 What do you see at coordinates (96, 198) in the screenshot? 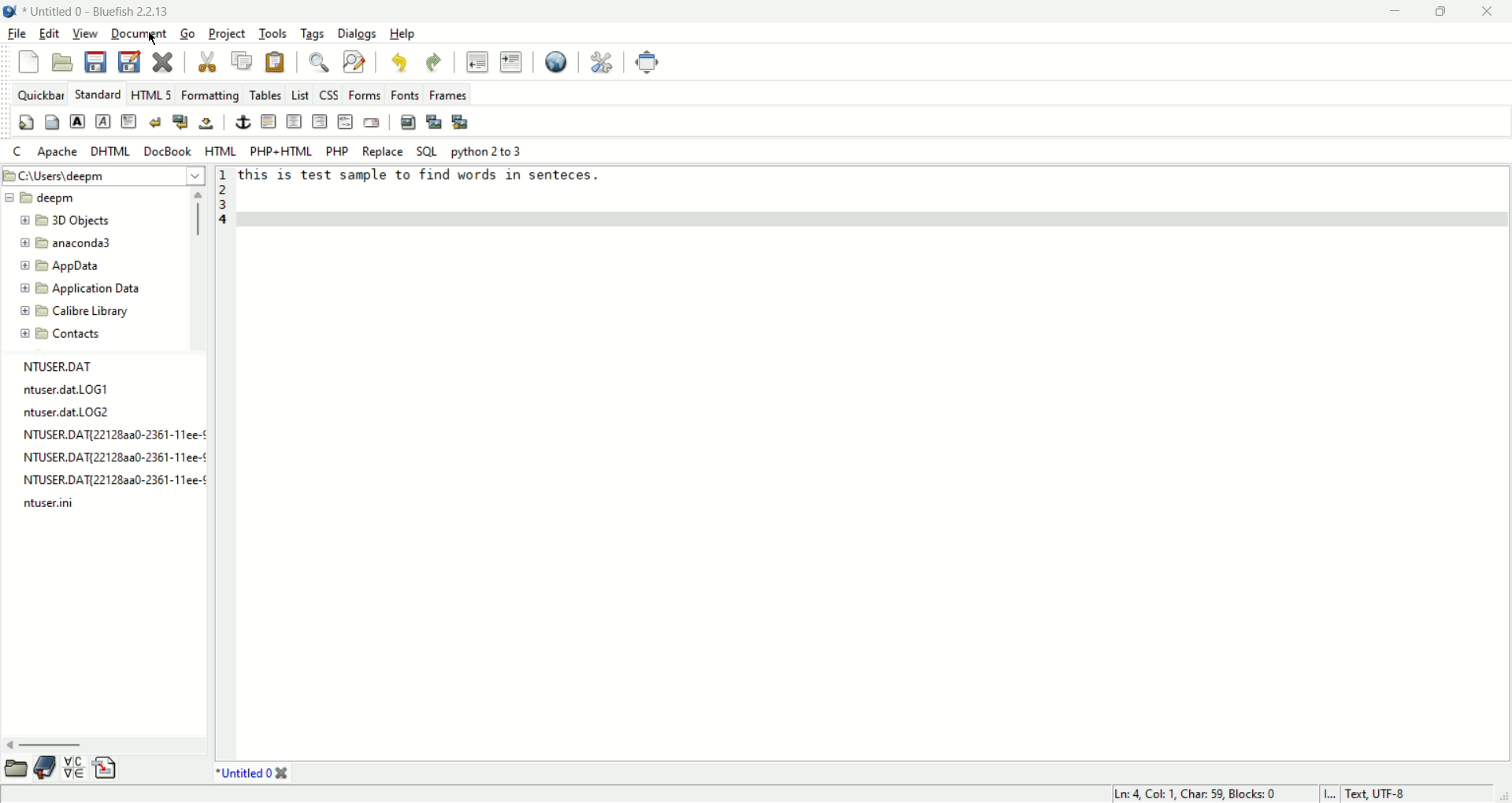
I see `deepm` at bounding box center [96, 198].